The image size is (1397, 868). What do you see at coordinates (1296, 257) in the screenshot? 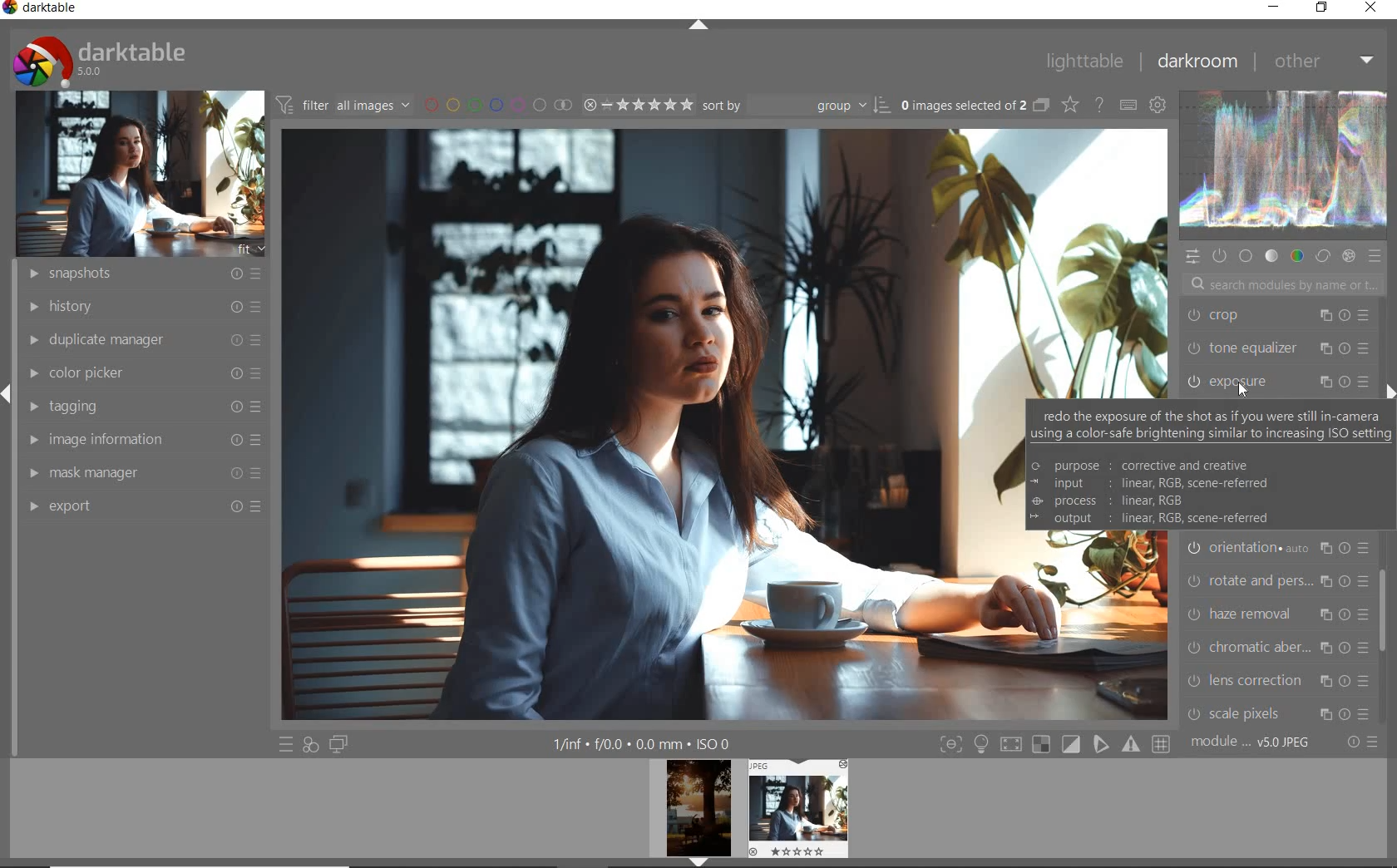
I see `COLOR` at bounding box center [1296, 257].